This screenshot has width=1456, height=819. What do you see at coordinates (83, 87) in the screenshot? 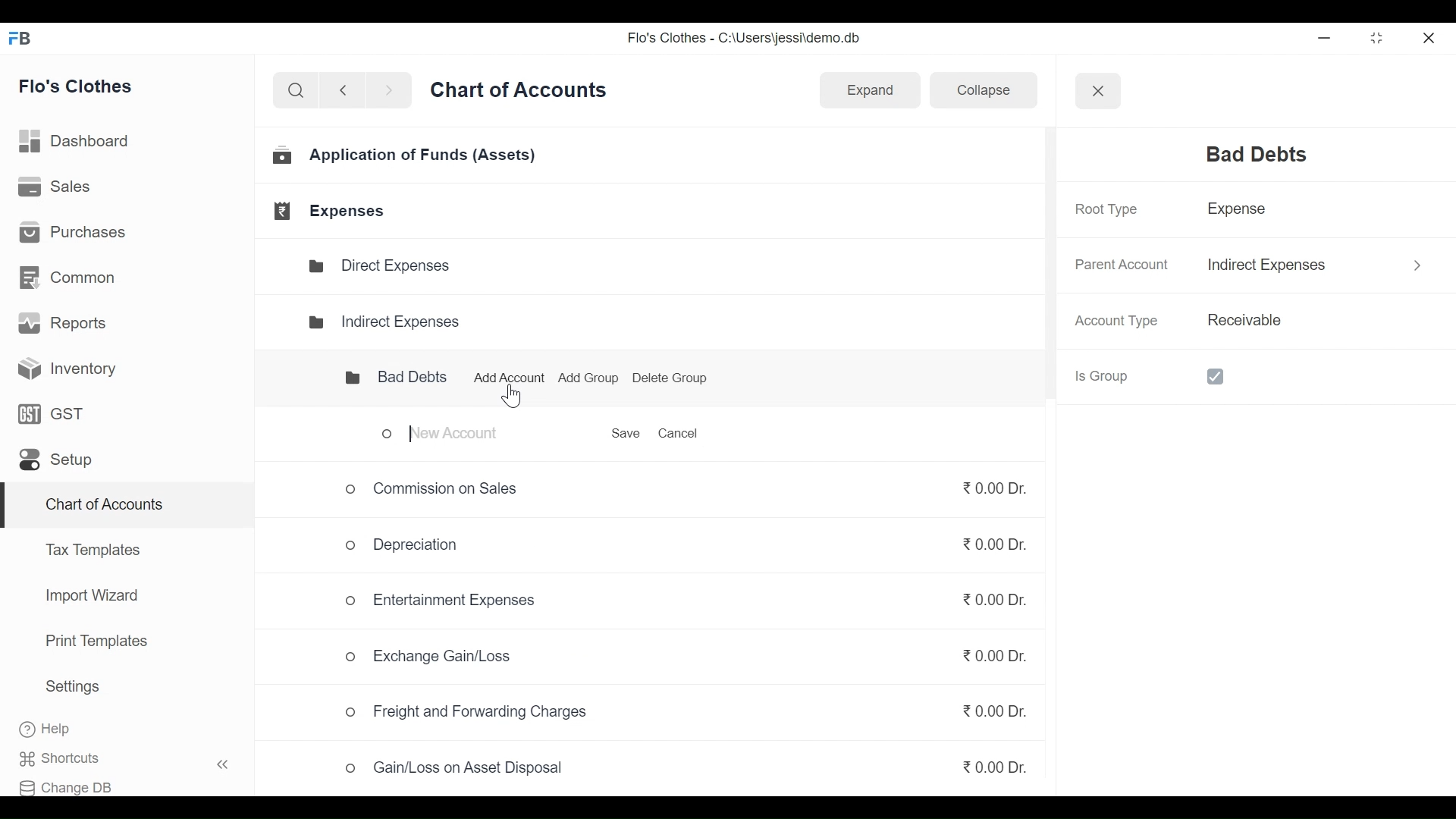
I see `Flo's Clothes` at bounding box center [83, 87].